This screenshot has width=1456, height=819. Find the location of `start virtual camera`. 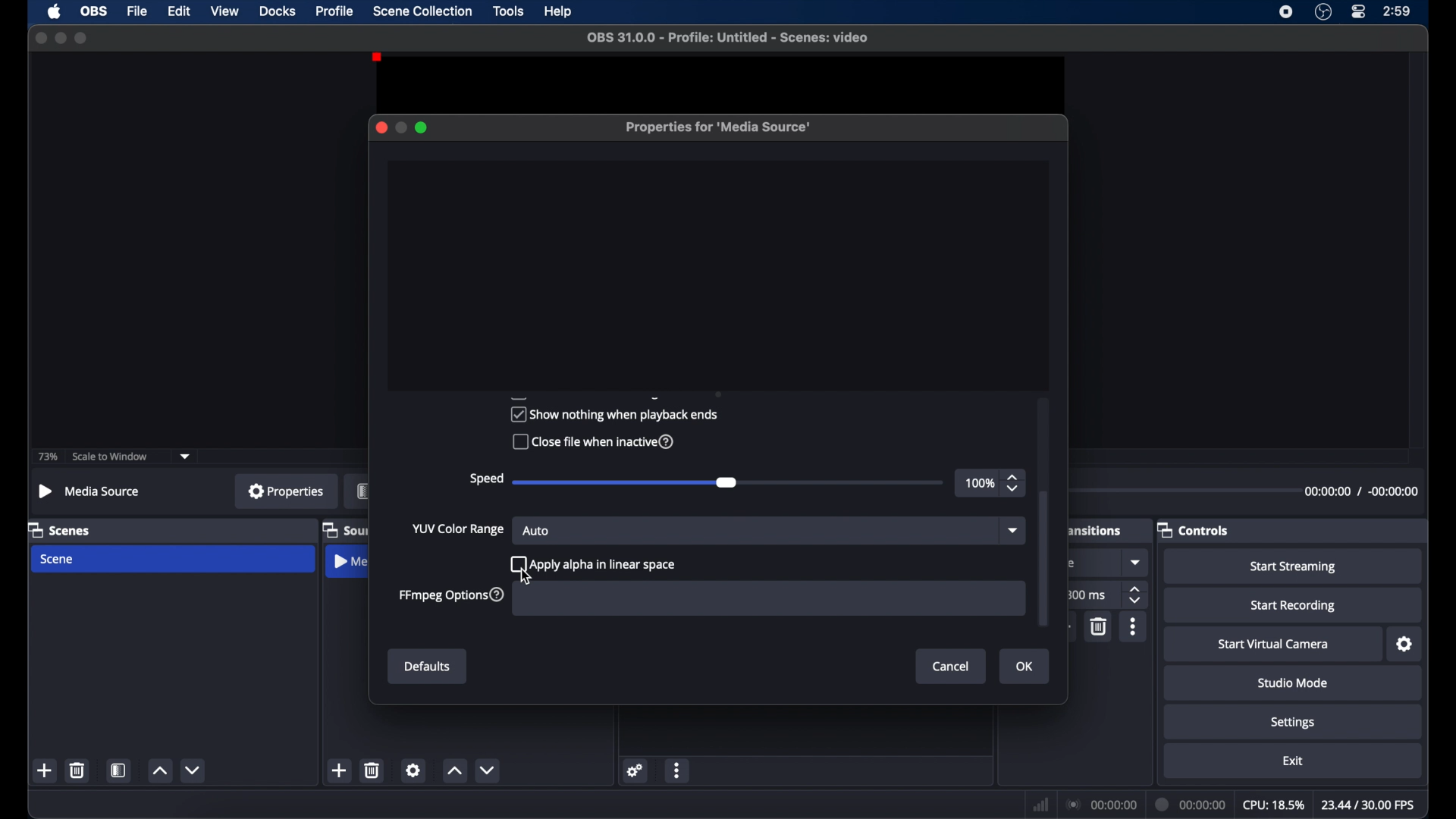

start virtual camera is located at coordinates (1274, 645).